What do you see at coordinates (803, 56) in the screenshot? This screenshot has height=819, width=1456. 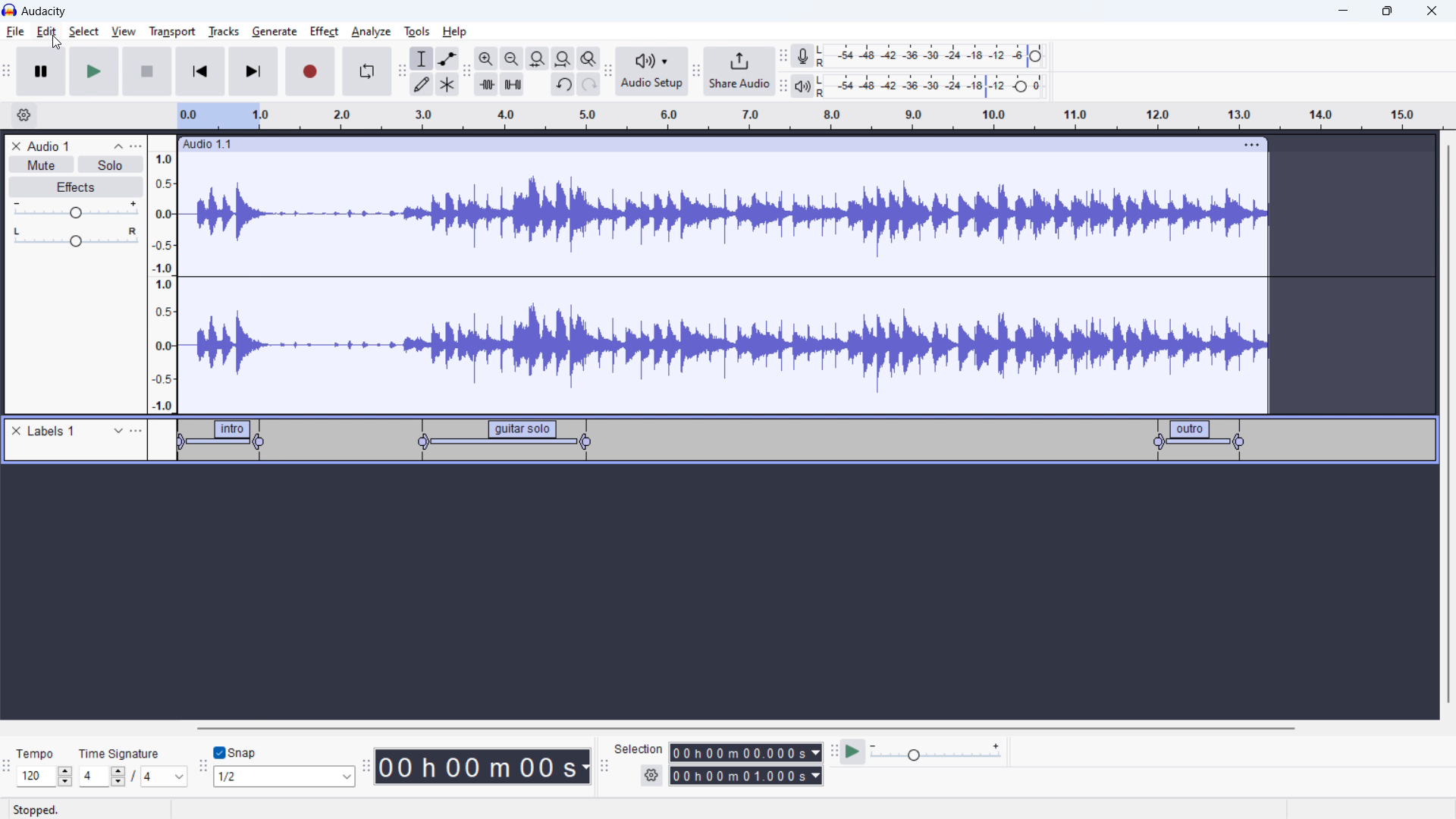 I see `recording meter` at bounding box center [803, 56].